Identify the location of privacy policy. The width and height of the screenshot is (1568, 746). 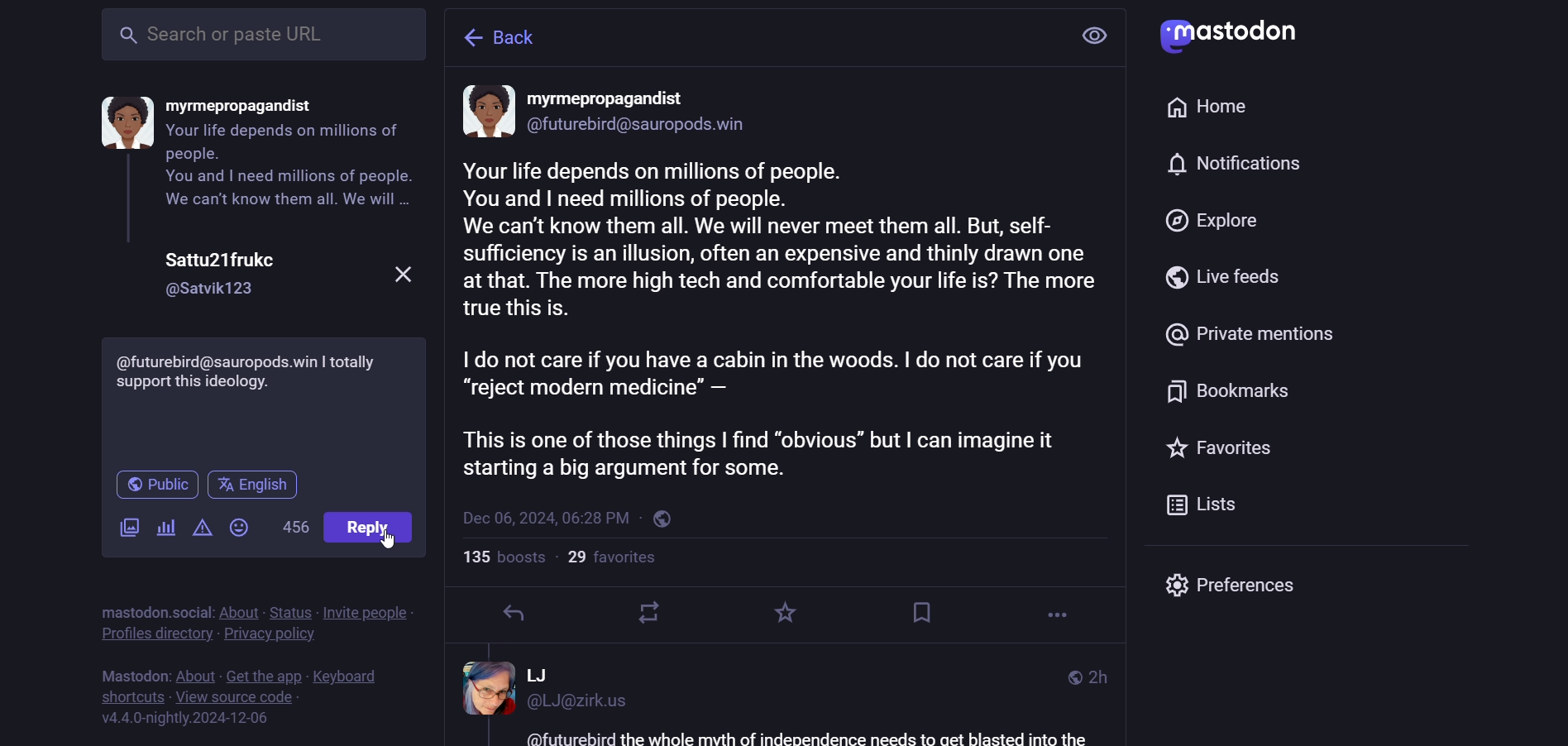
(273, 634).